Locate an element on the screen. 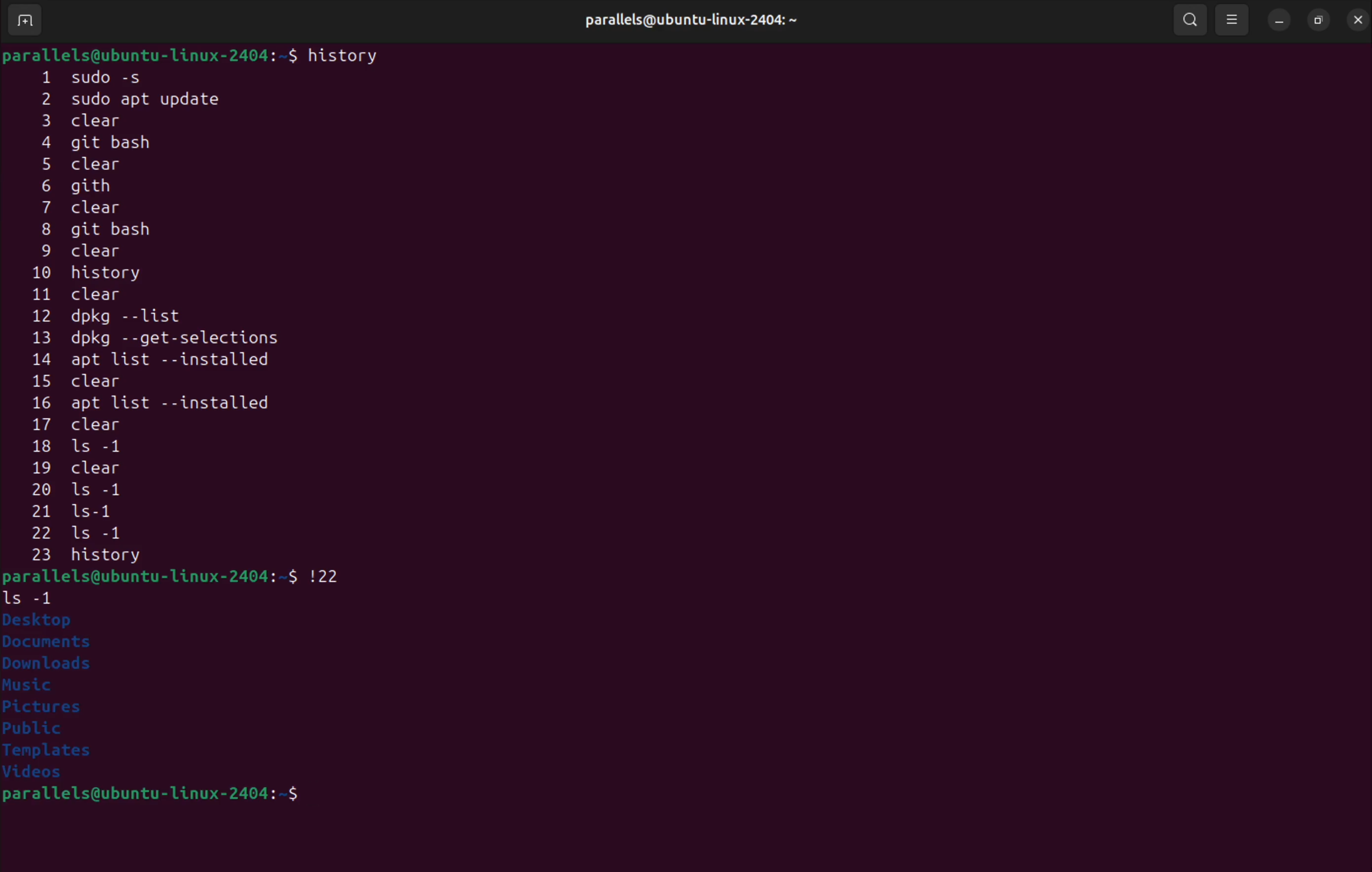 This screenshot has height=872, width=1372. view options is located at coordinates (1234, 19).